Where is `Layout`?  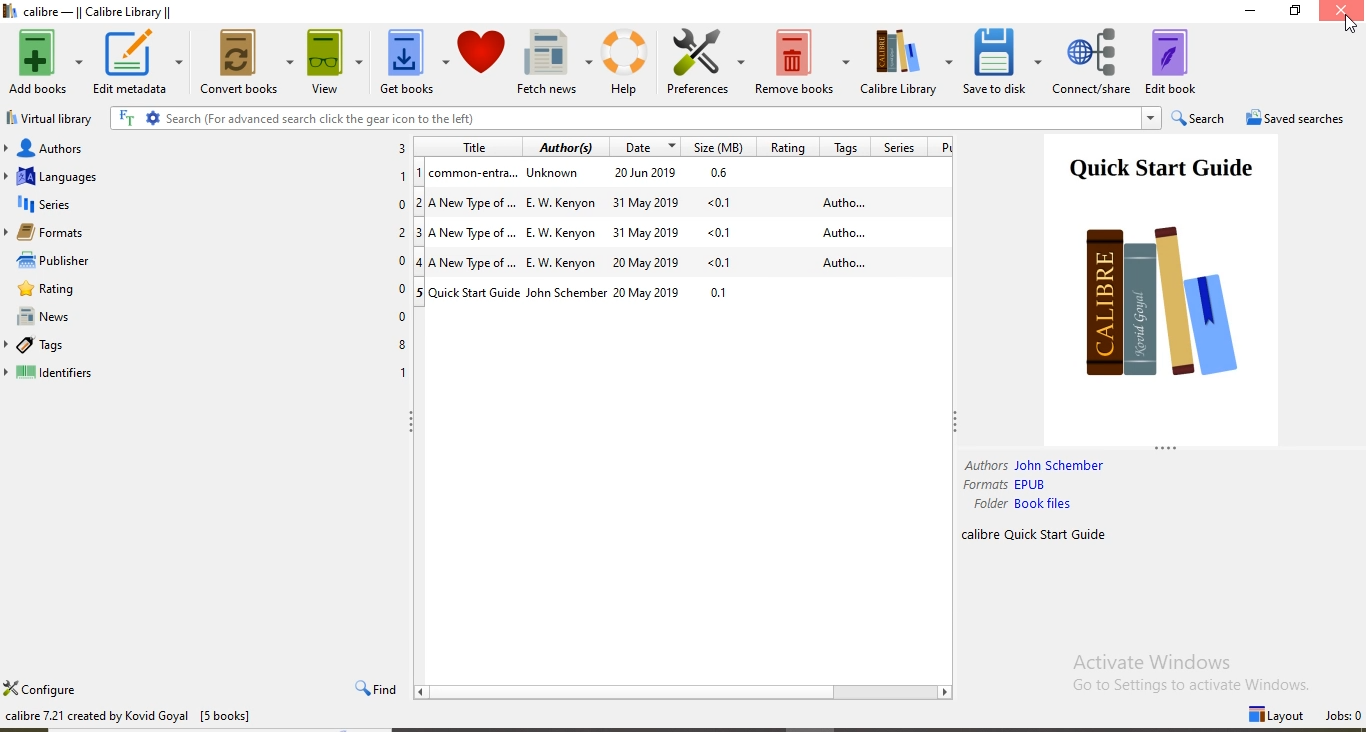
Layout is located at coordinates (1277, 715).